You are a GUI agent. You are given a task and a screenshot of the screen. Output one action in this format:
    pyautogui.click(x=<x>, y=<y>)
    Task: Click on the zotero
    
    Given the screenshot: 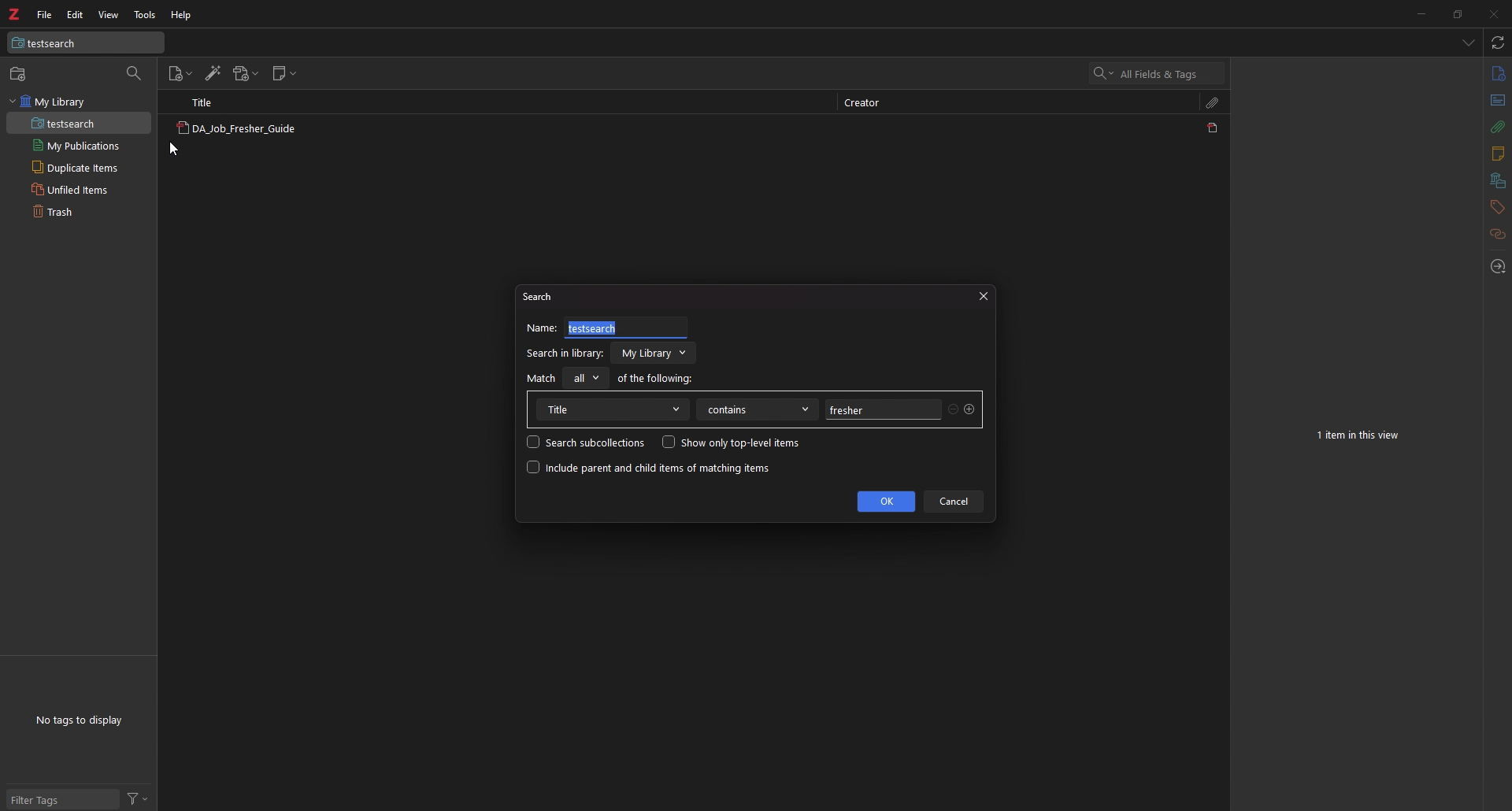 What is the action you would take?
    pyautogui.click(x=13, y=14)
    